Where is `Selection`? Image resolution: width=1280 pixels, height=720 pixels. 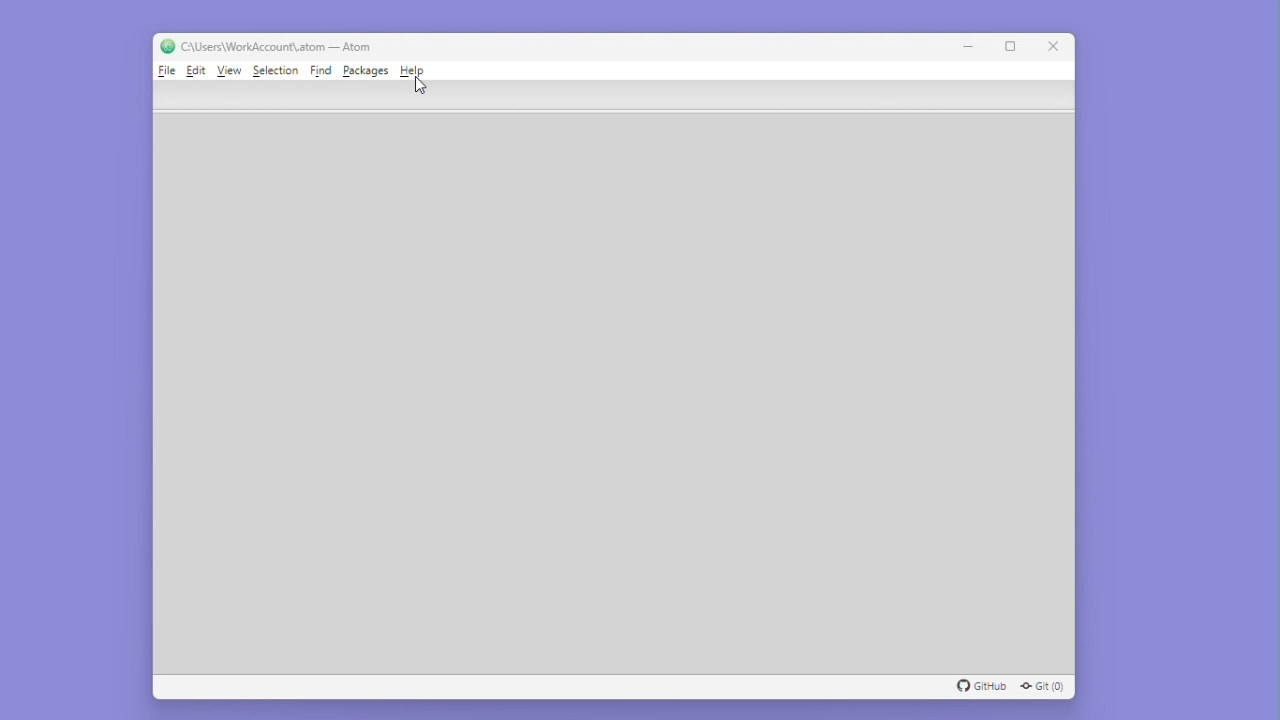 Selection is located at coordinates (272, 72).